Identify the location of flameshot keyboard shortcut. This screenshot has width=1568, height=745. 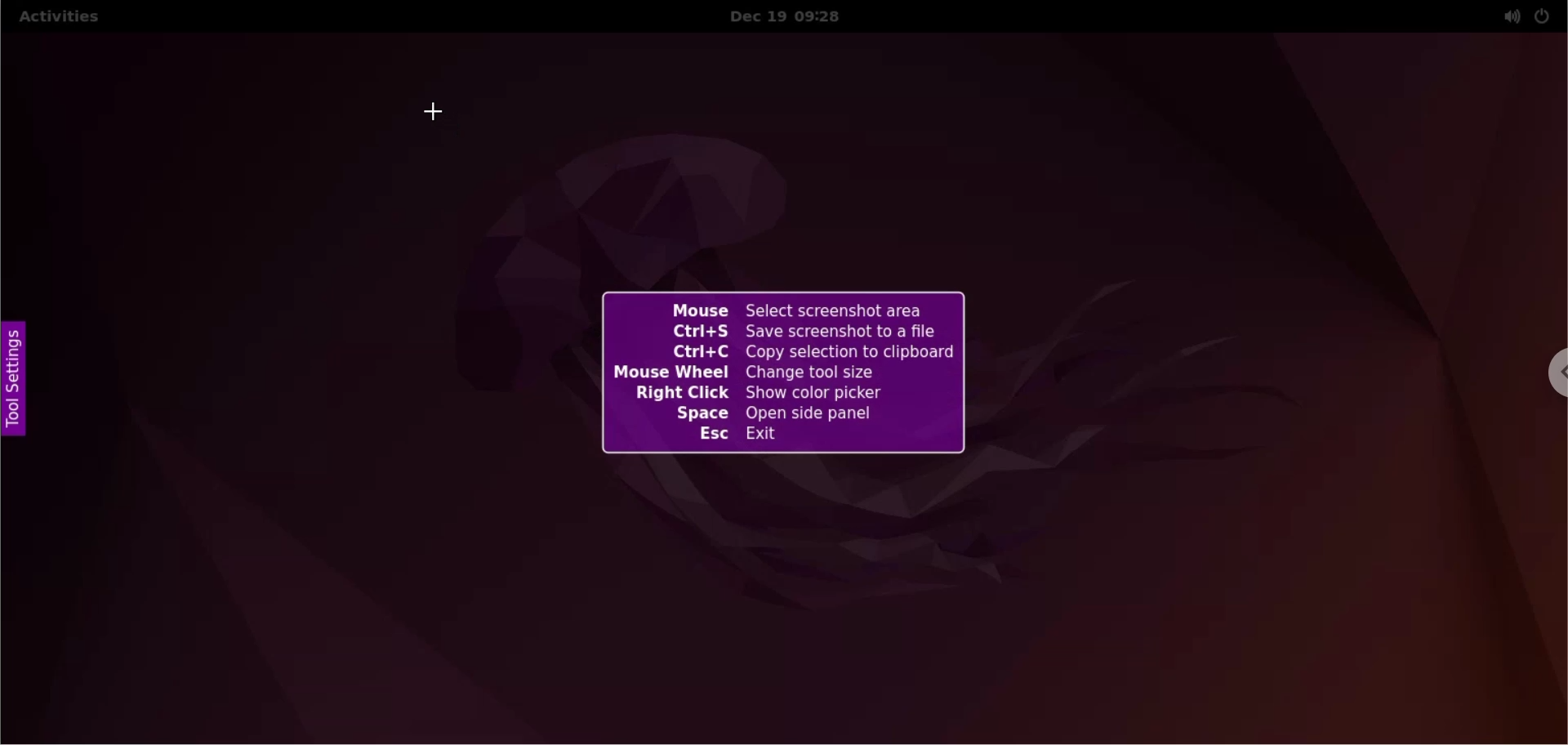
(782, 373).